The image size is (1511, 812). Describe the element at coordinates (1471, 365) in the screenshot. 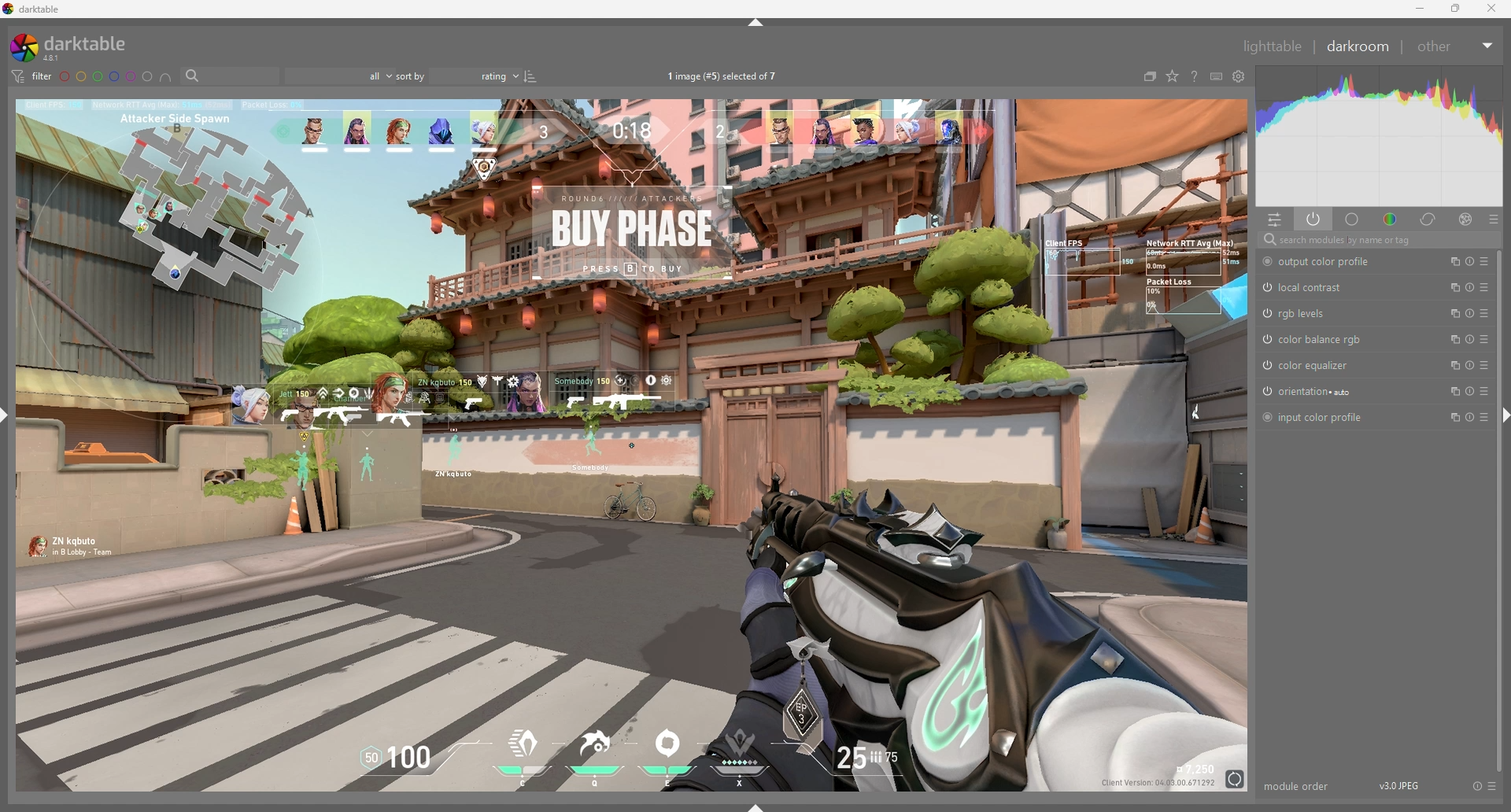

I see `reset` at that location.